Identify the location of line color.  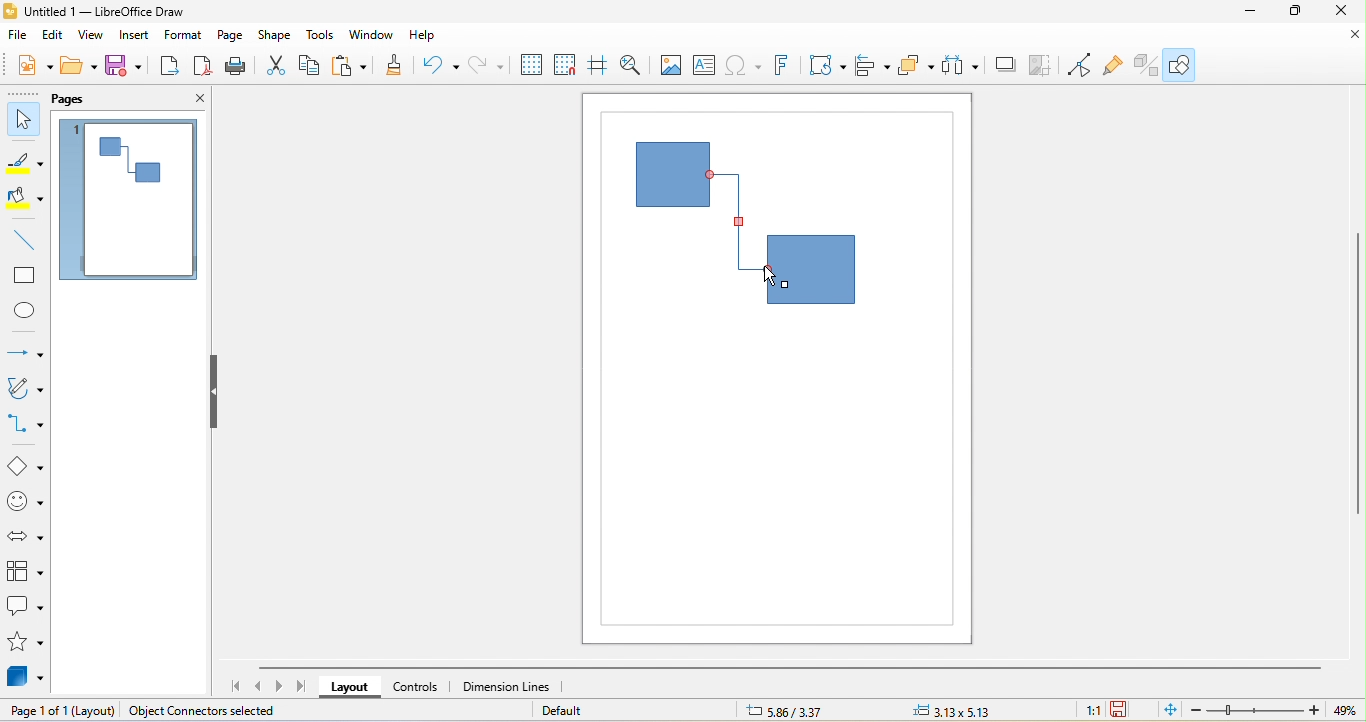
(25, 162).